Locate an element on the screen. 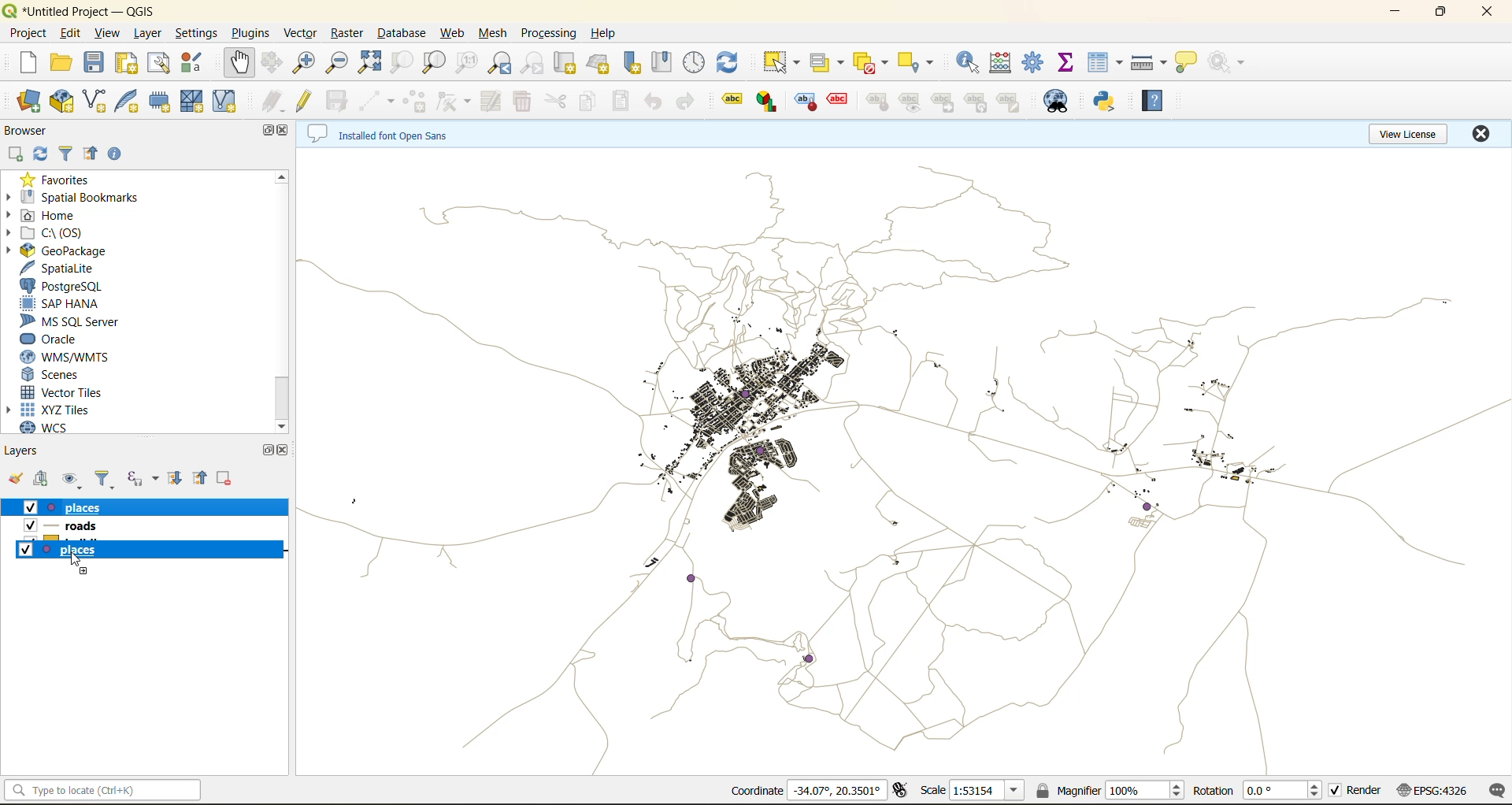 The image size is (1512, 805). open is located at coordinates (57, 63).